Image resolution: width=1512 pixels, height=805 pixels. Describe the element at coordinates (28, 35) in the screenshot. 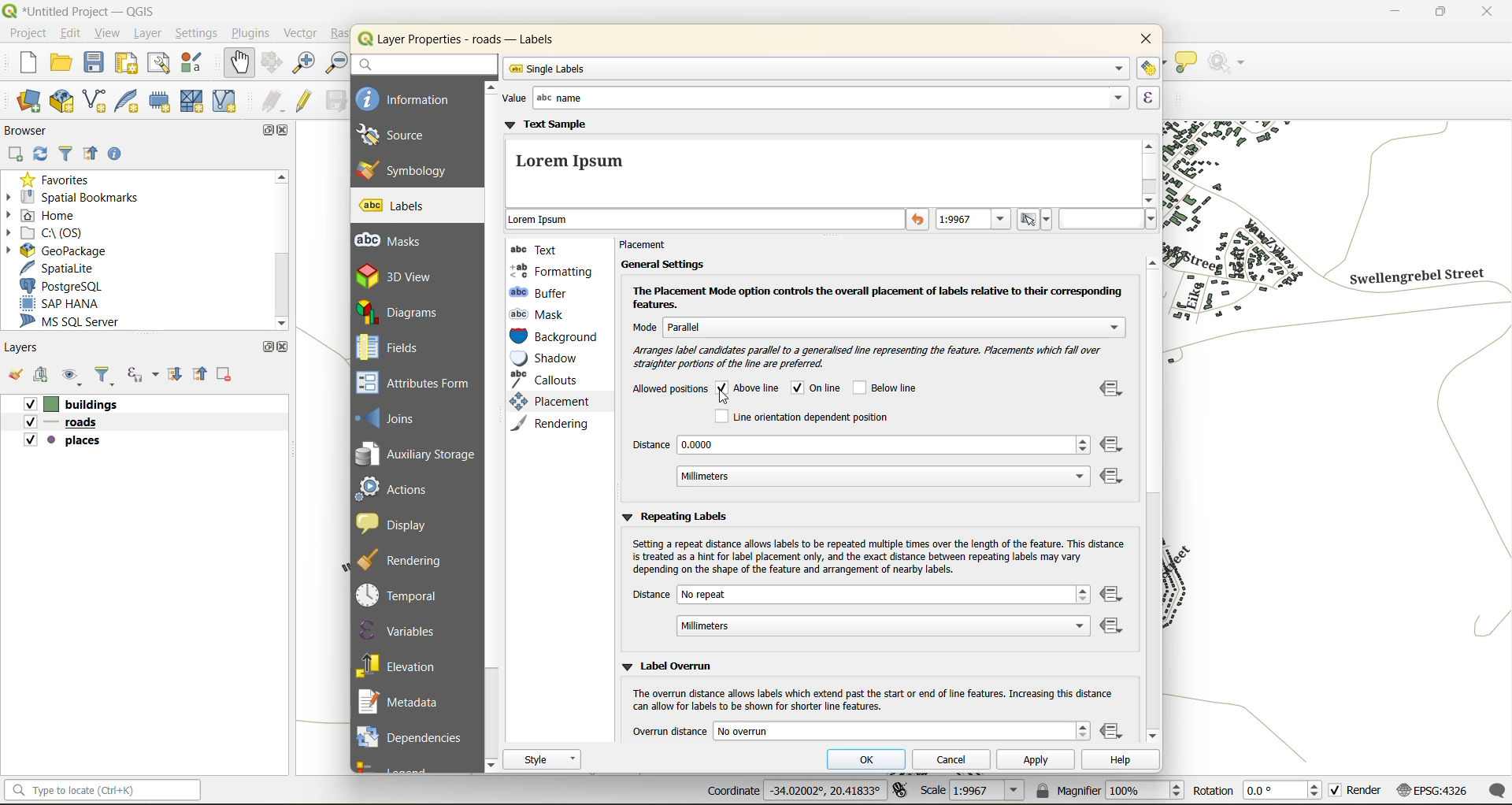

I see `project` at that location.